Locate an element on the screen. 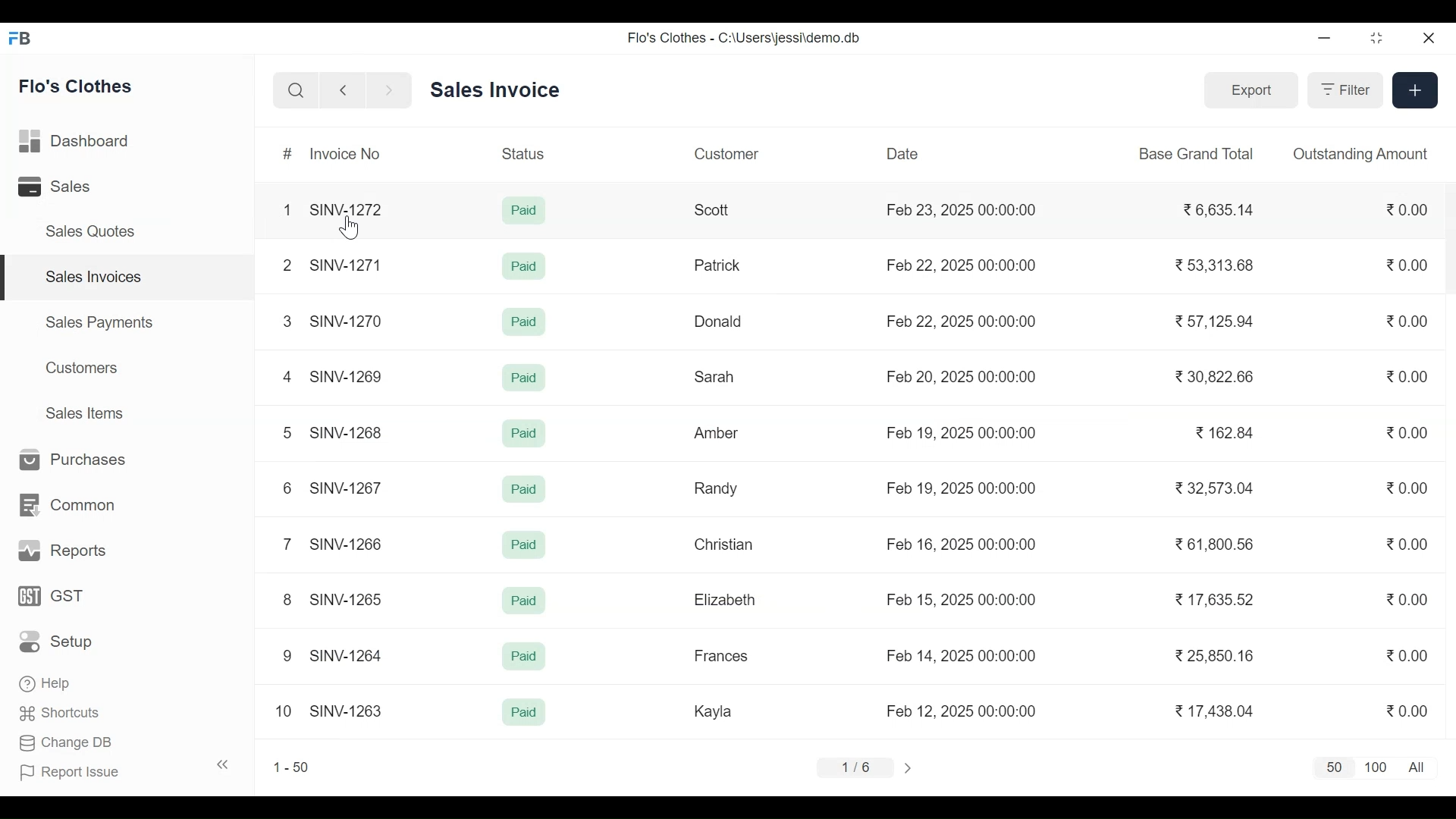 Image resolution: width=1456 pixels, height=819 pixels. Sales Items is located at coordinates (84, 413).